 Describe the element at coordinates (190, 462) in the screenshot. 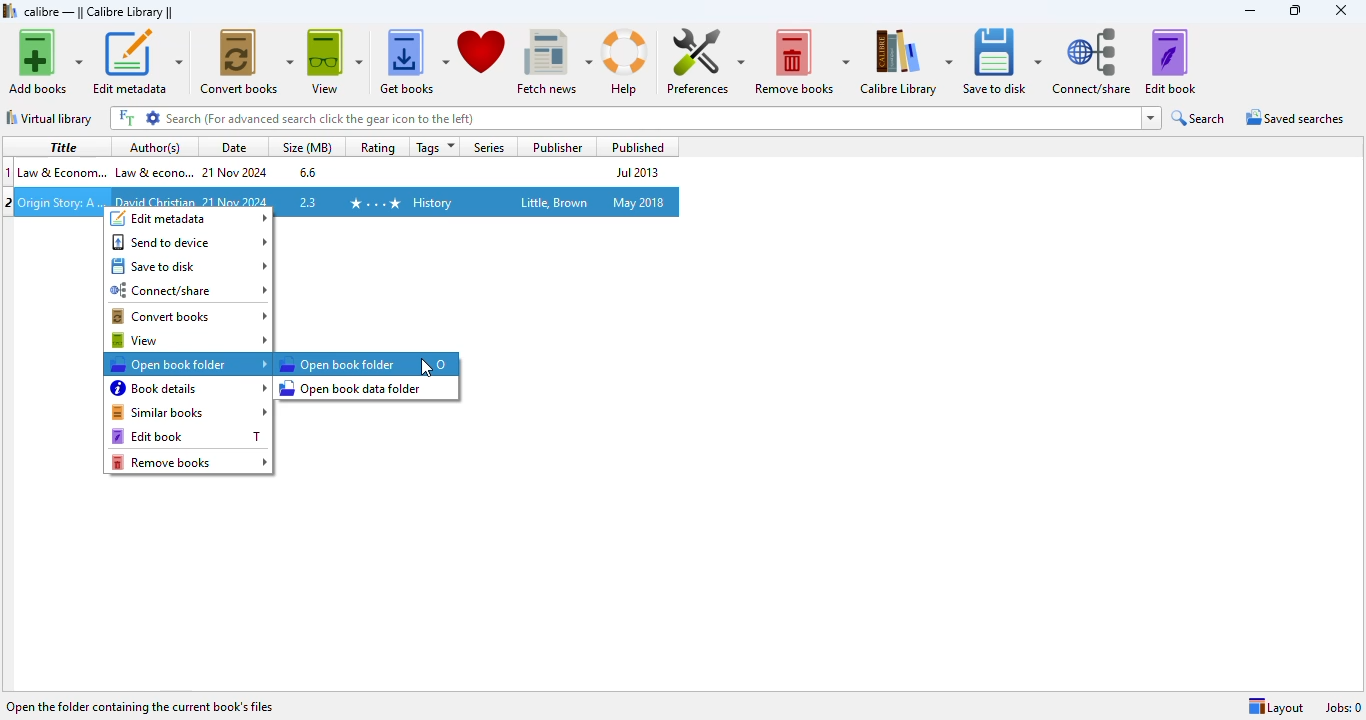

I see `remove books` at that location.